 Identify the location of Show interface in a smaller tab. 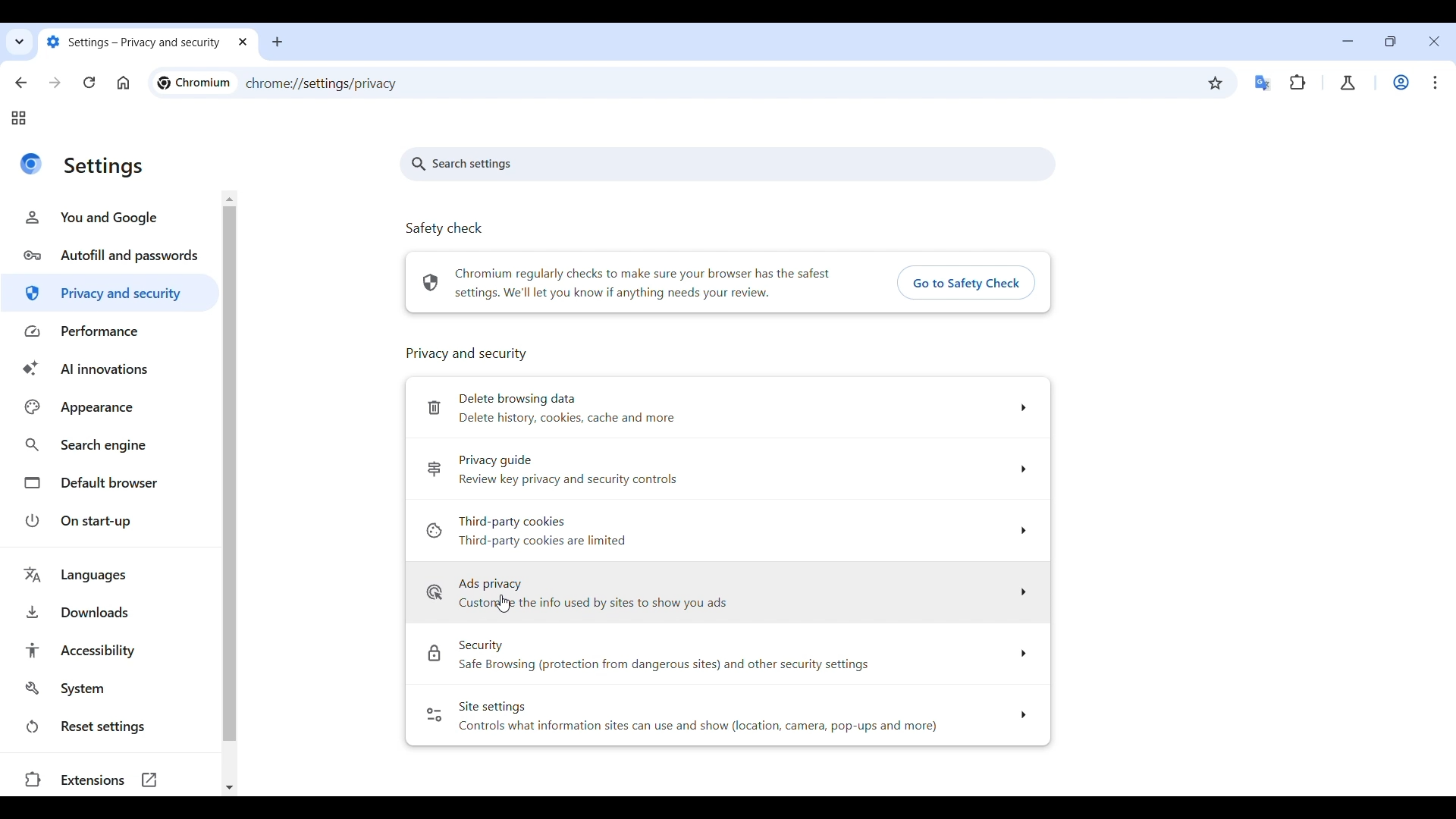
(1391, 41).